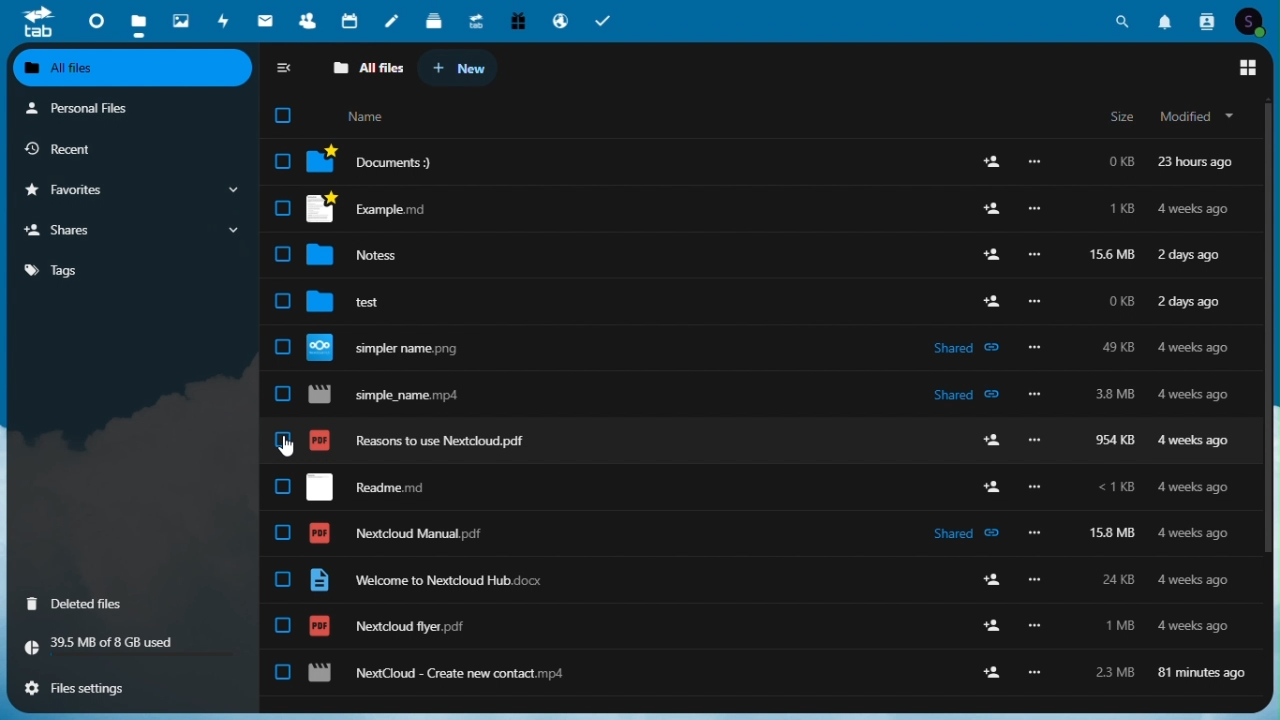 The image size is (1280, 720). What do you see at coordinates (134, 268) in the screenshot?
I see `tags` at bounding box center [134, 268].